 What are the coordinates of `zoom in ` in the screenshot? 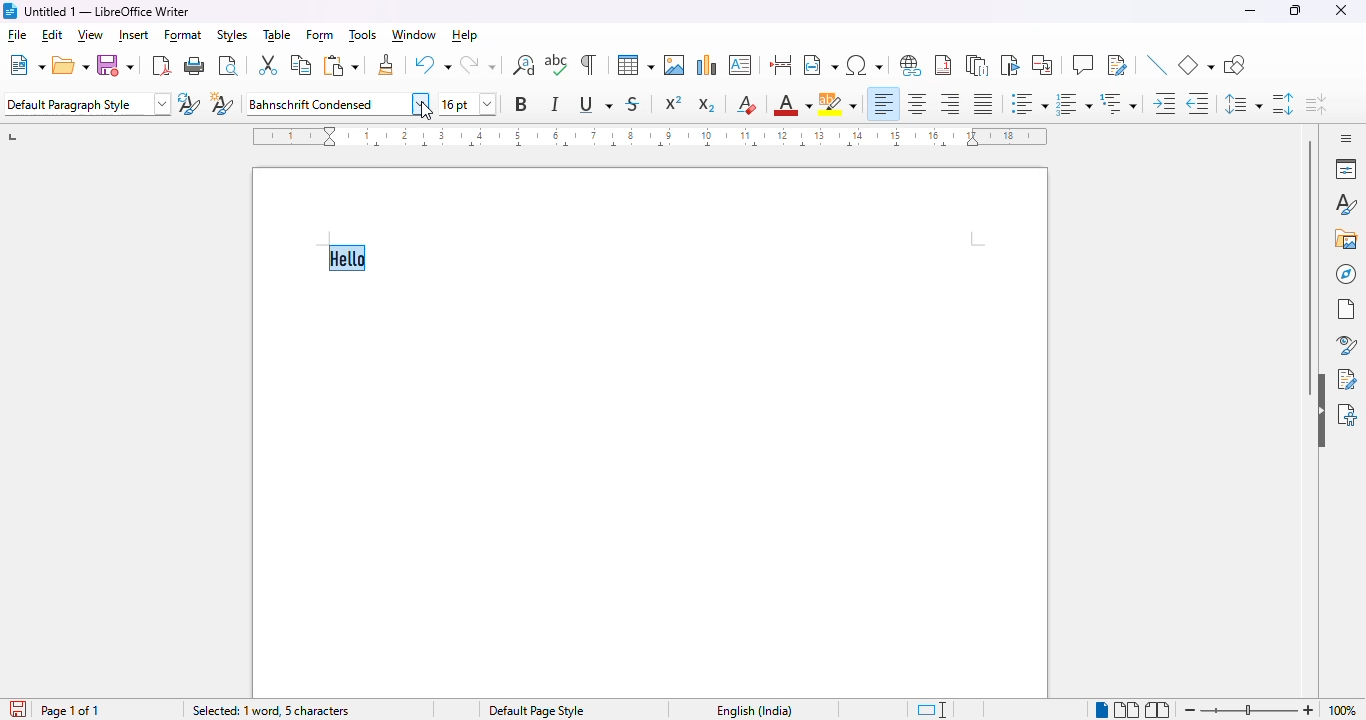 It's located at (1308, 711).